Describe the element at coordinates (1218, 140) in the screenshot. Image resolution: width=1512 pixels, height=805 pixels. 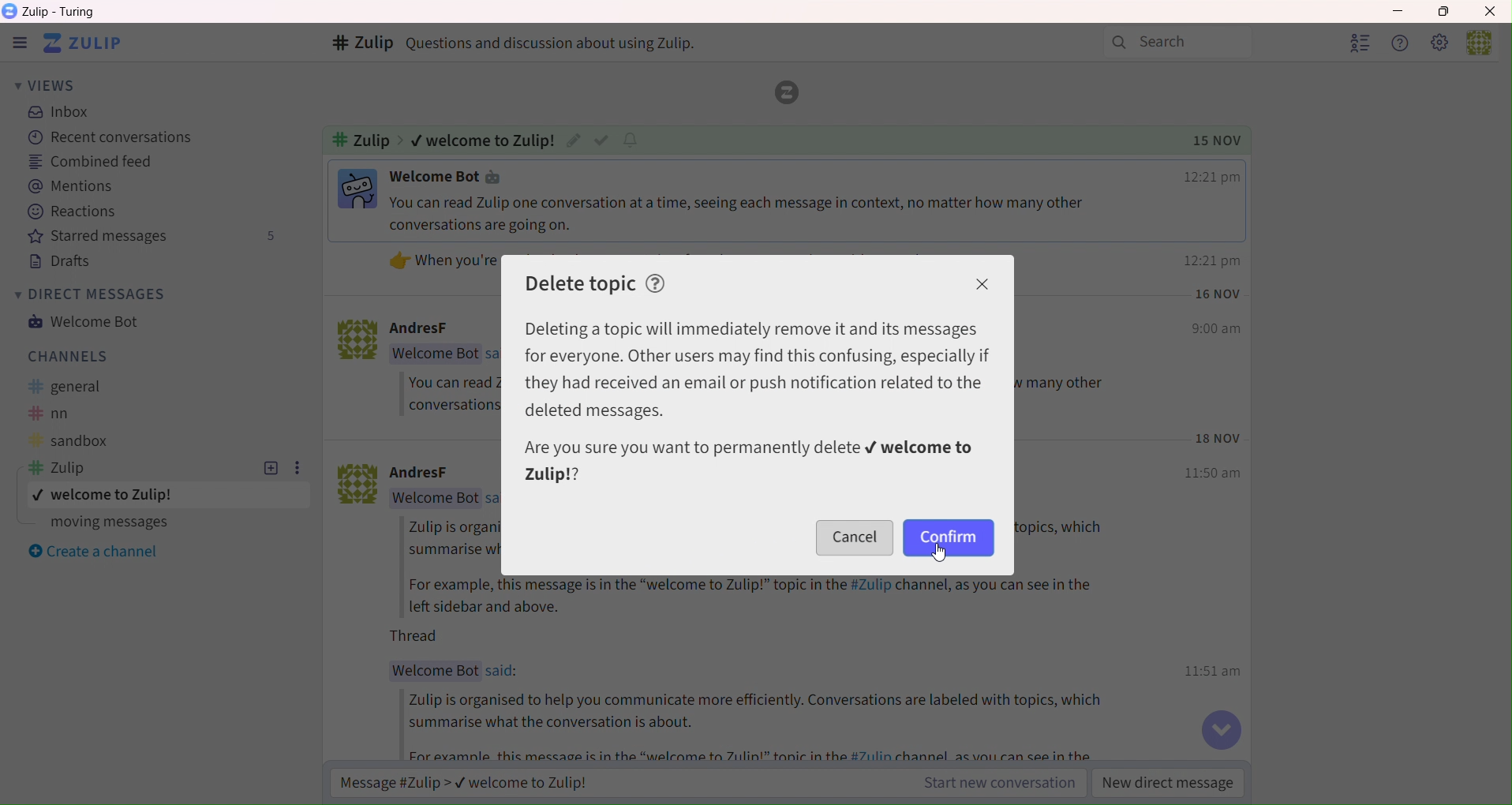
I see `Time` at that location.